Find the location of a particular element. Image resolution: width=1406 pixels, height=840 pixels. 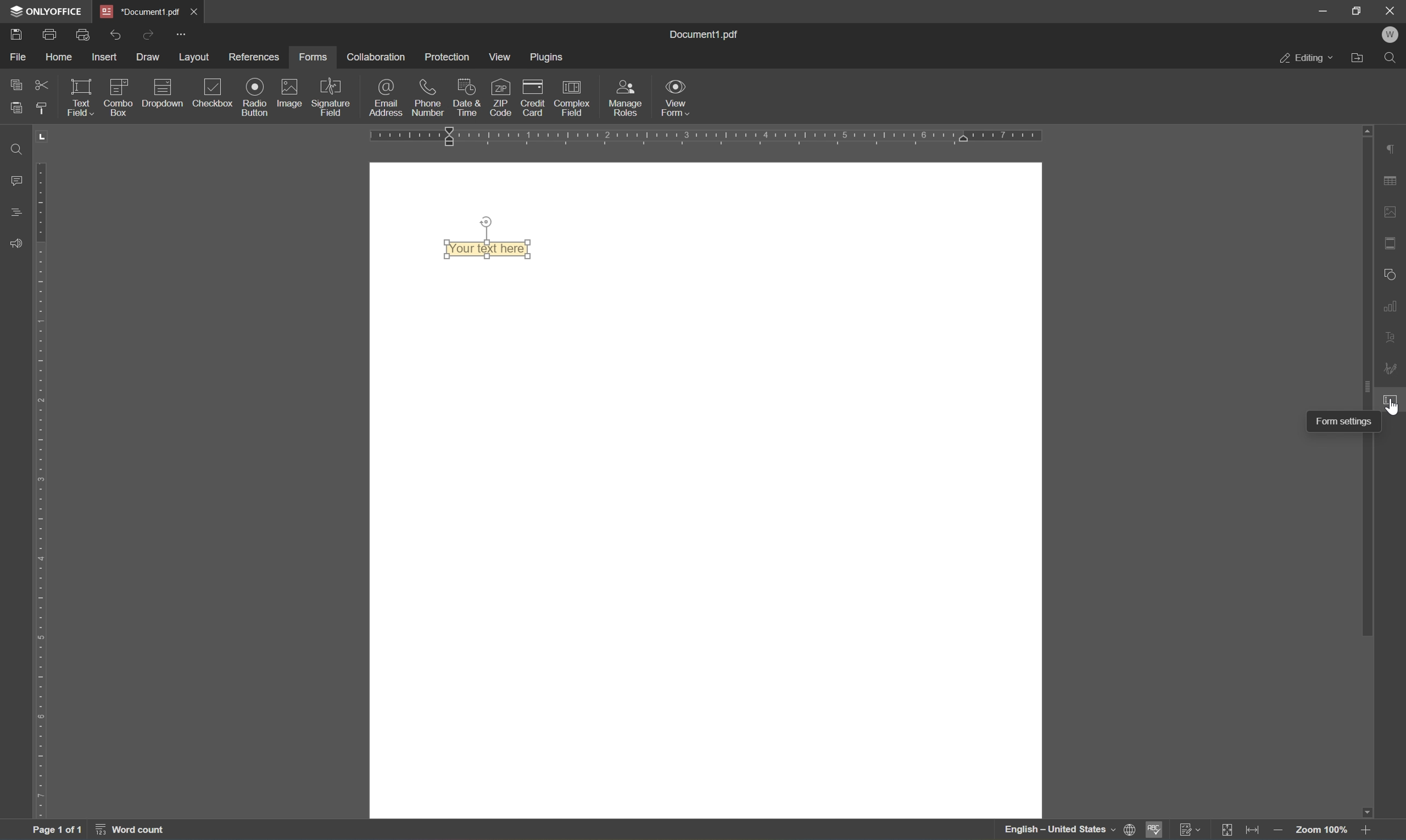

text field is located at coordinates (84, 97).